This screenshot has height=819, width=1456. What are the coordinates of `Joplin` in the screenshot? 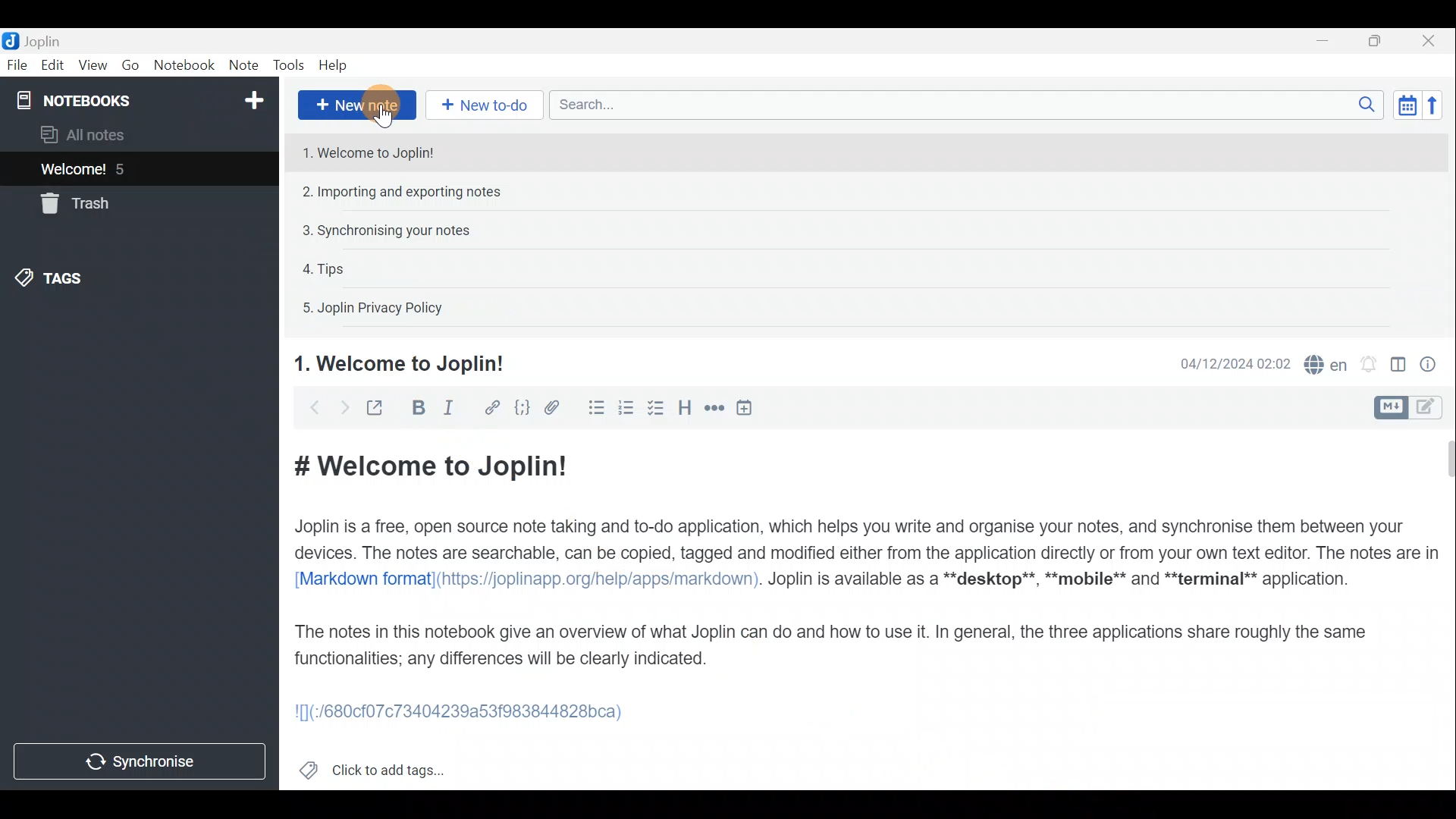 It's located at (42, 40).